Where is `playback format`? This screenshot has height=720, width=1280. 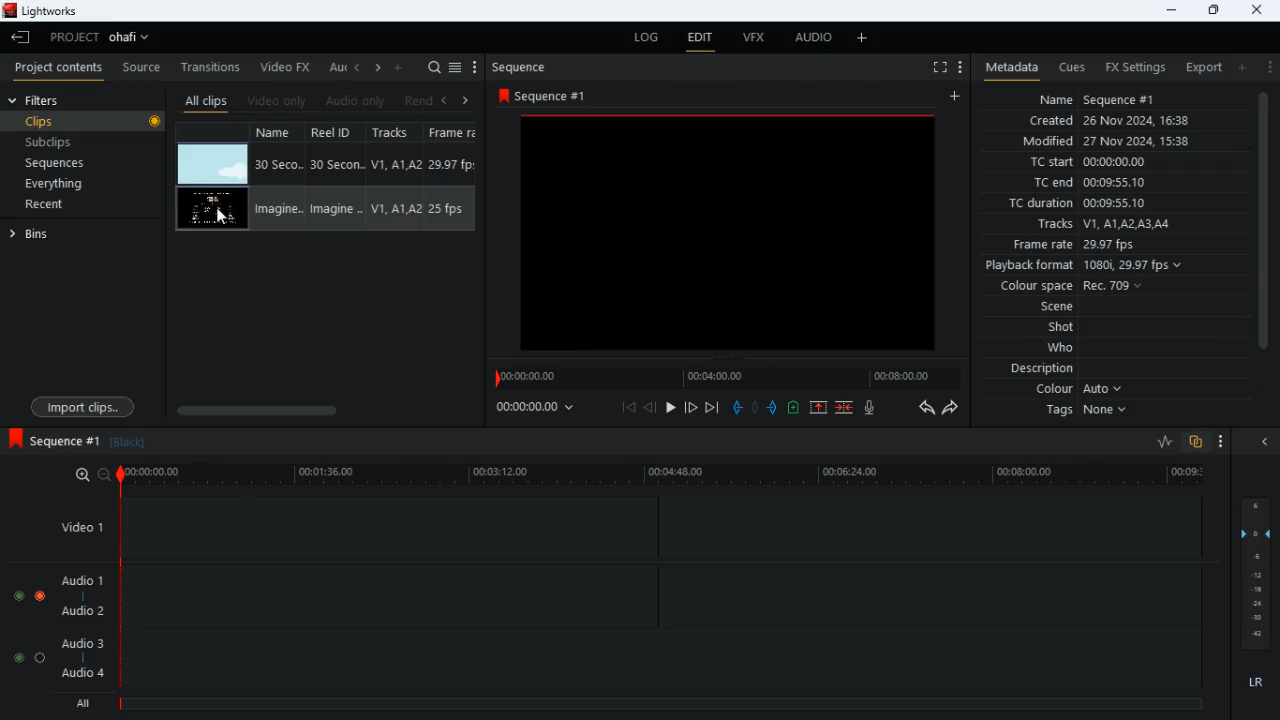 playback format is located at coordinates (1090, 265).